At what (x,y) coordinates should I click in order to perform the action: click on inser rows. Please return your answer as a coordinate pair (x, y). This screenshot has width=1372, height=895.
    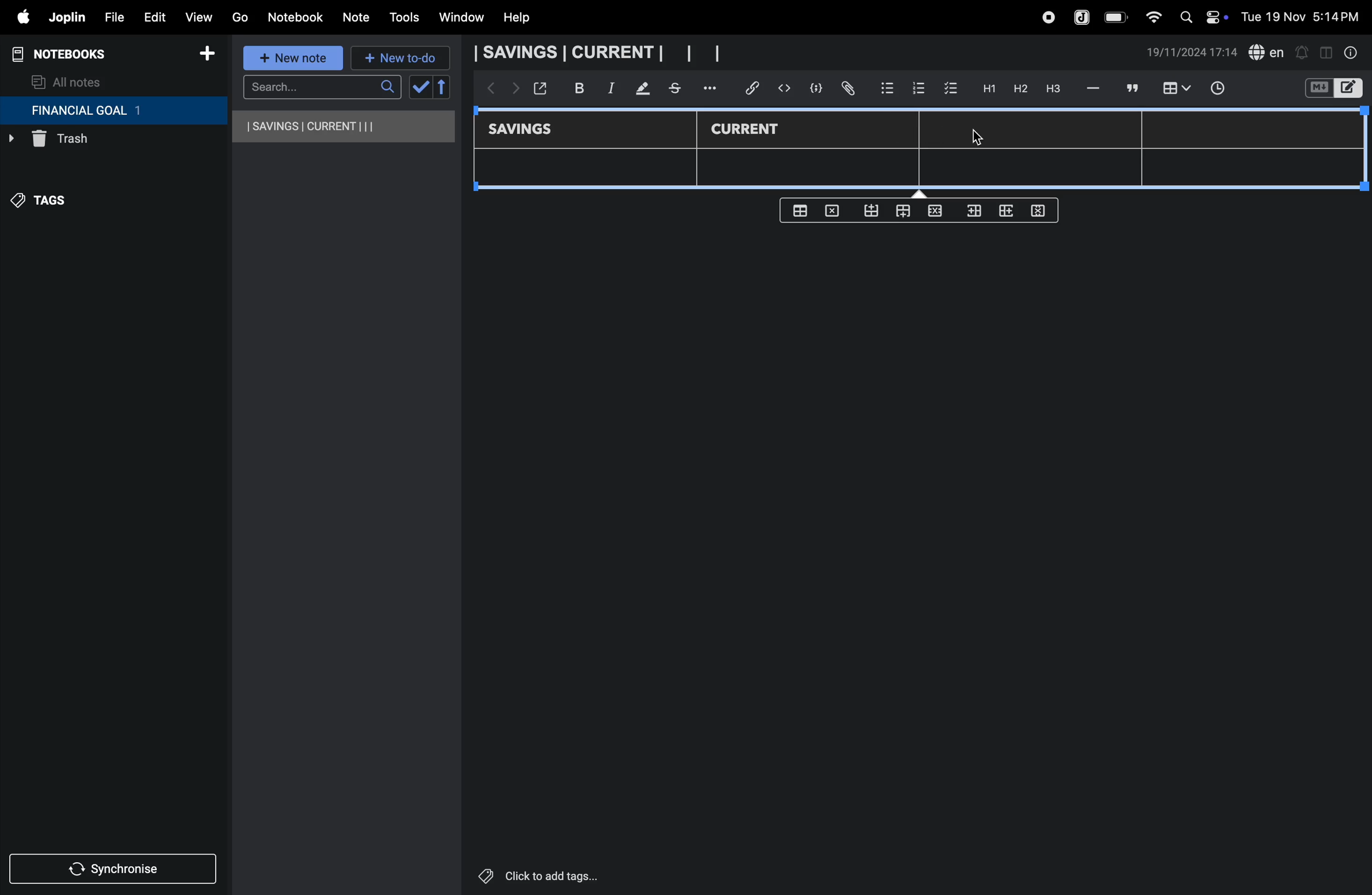
    Looking at the image, I should click on (972, 213).